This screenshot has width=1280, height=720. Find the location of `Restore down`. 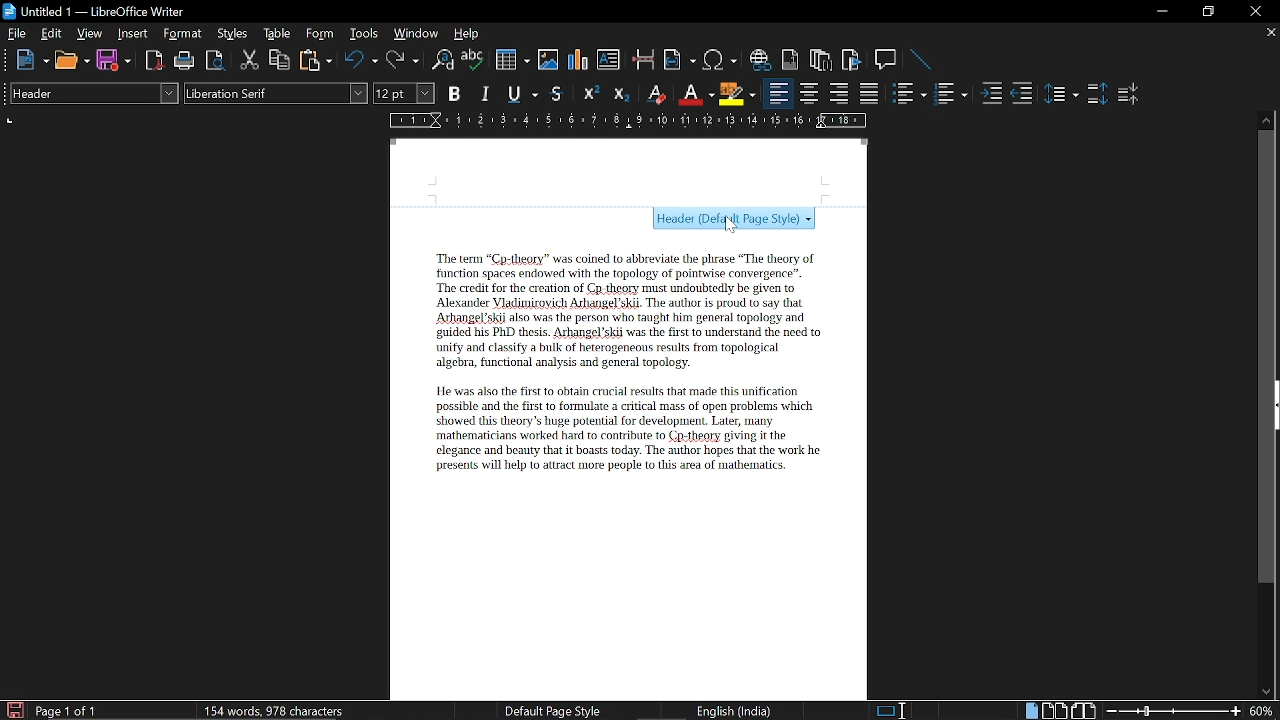

Restore down is located at coordinates (1206, 12).